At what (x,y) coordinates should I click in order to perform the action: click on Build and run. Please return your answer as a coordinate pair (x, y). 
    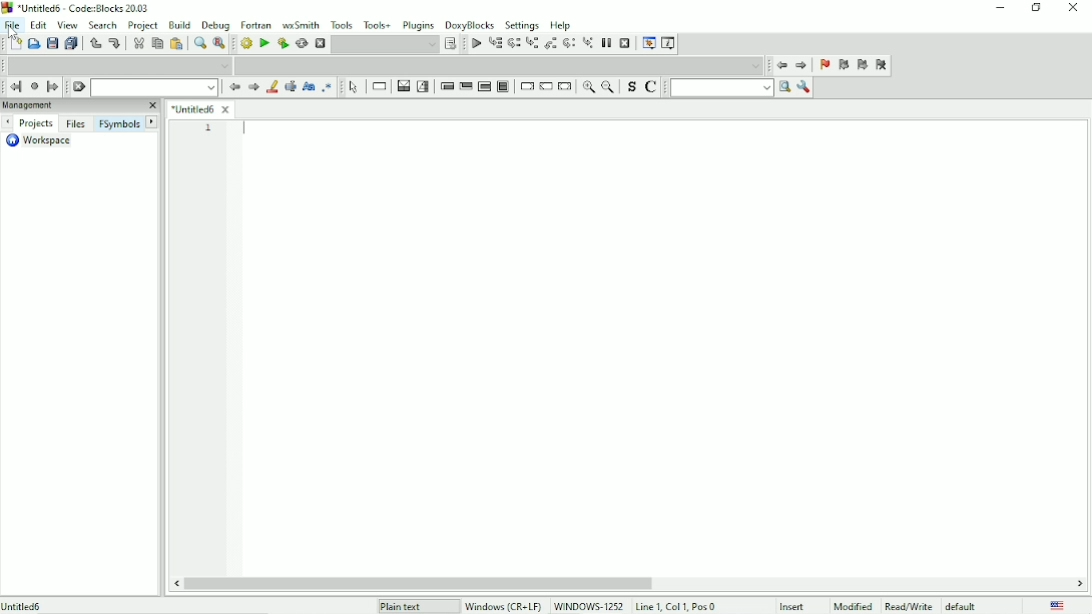
    Looking at the image, I should click on (282, 43).